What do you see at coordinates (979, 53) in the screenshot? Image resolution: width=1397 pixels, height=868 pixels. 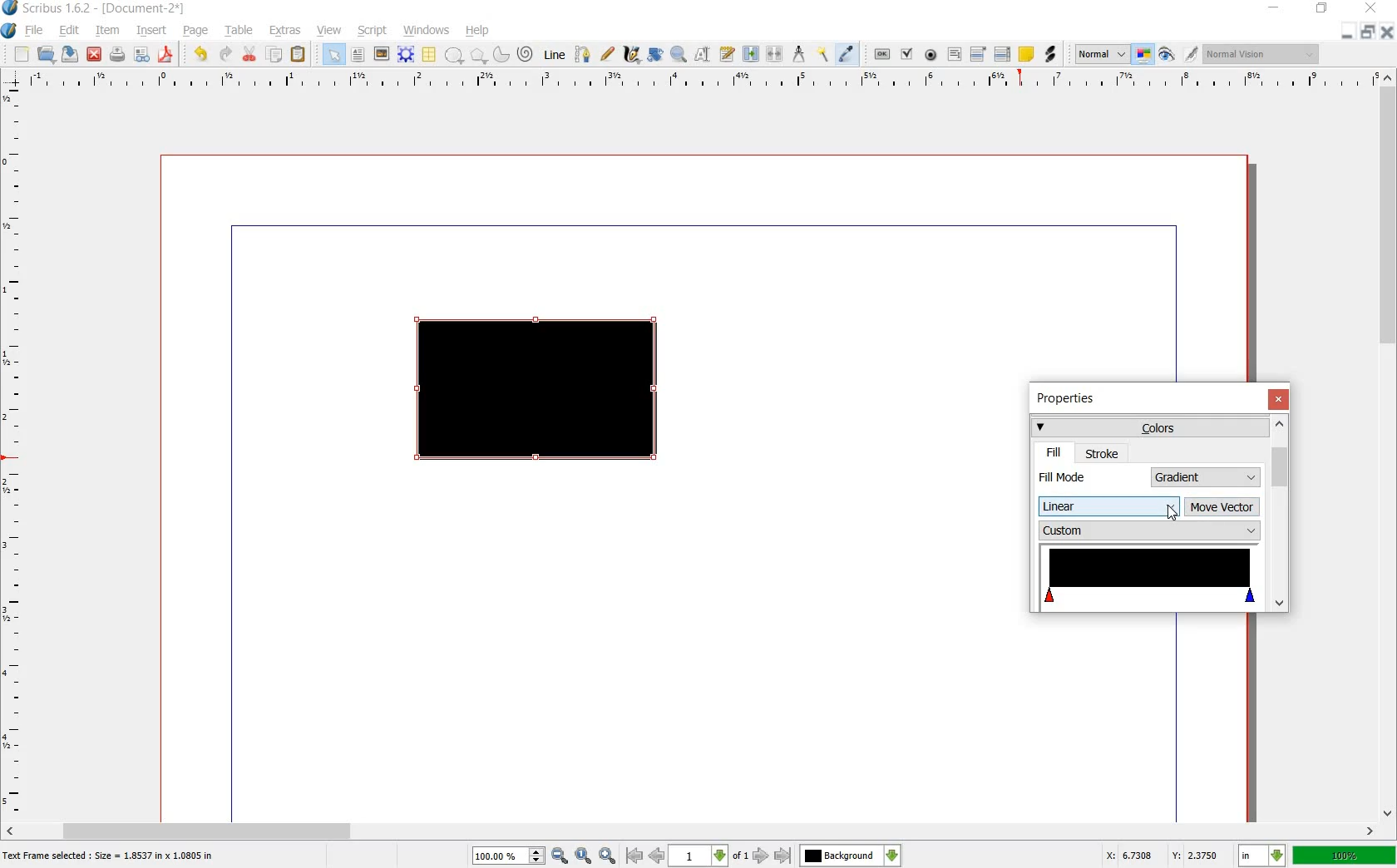 I see `pdf combo box` at bounding box center [979, 53].